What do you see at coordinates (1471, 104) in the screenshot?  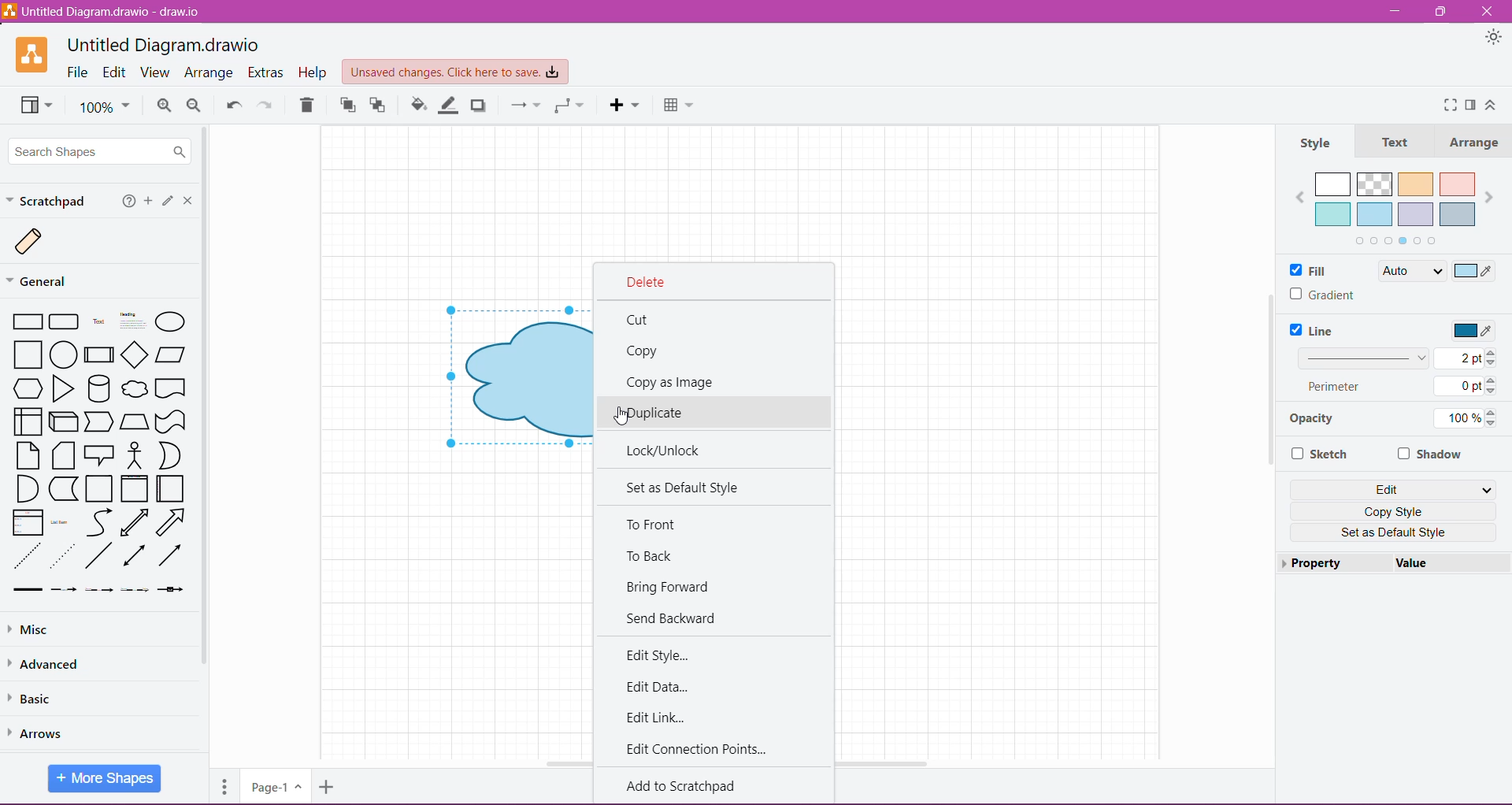 I see `Format` at bounding box center [1471, 104].